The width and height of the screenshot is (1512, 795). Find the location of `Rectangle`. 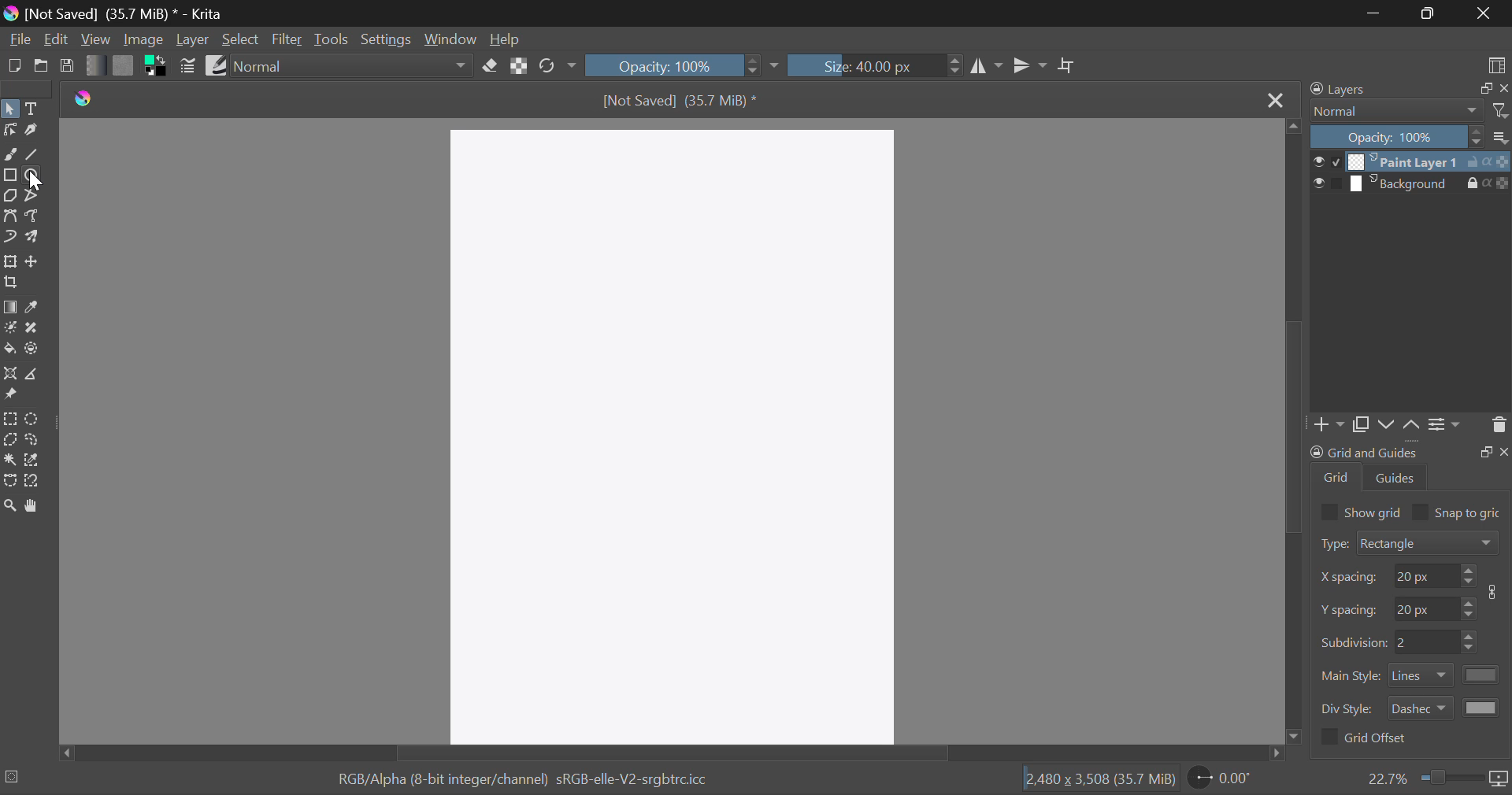

Rectangle is located at coordinates (11, 174).